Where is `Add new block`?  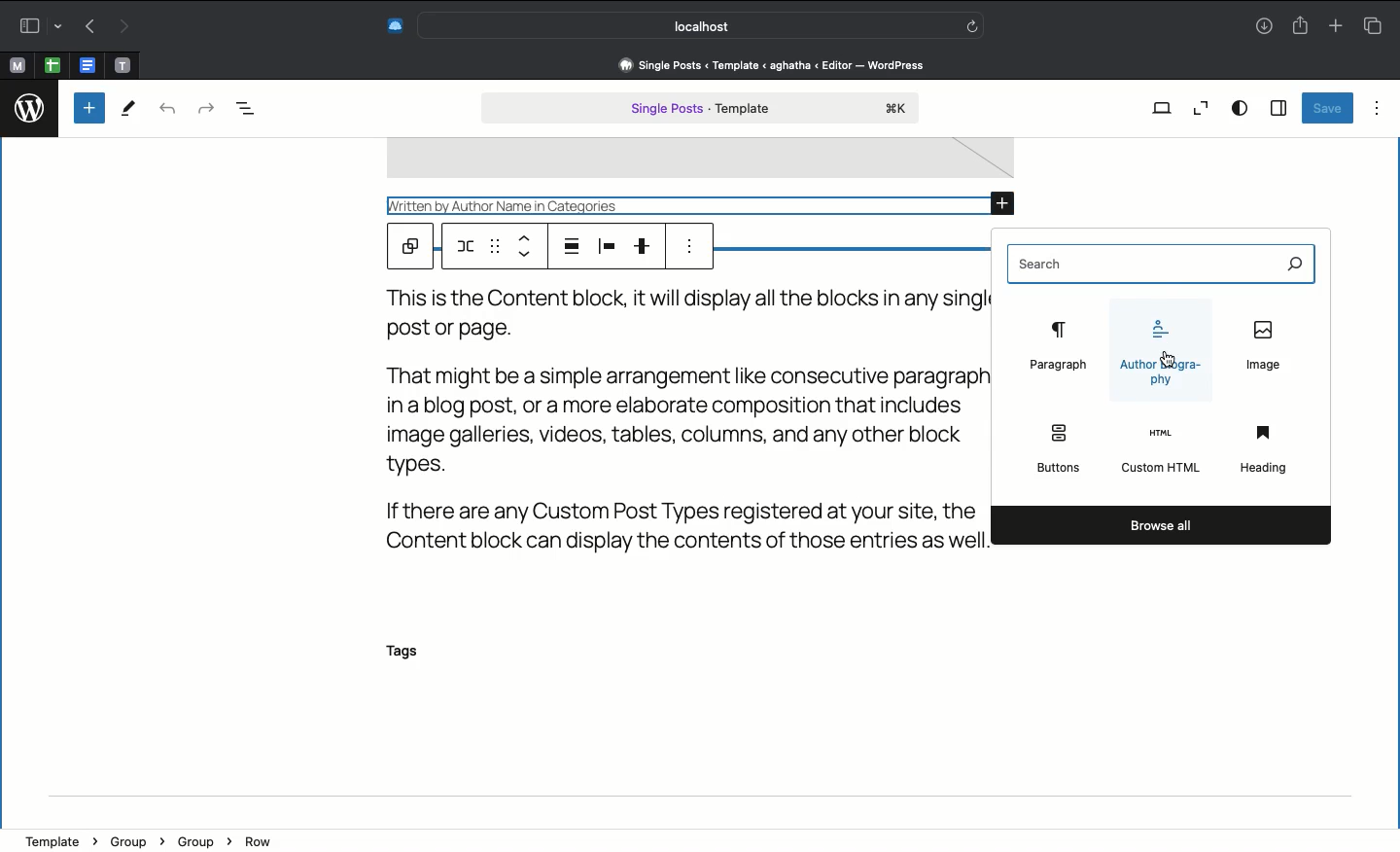 Add new block is located at coordinates (89, 108).